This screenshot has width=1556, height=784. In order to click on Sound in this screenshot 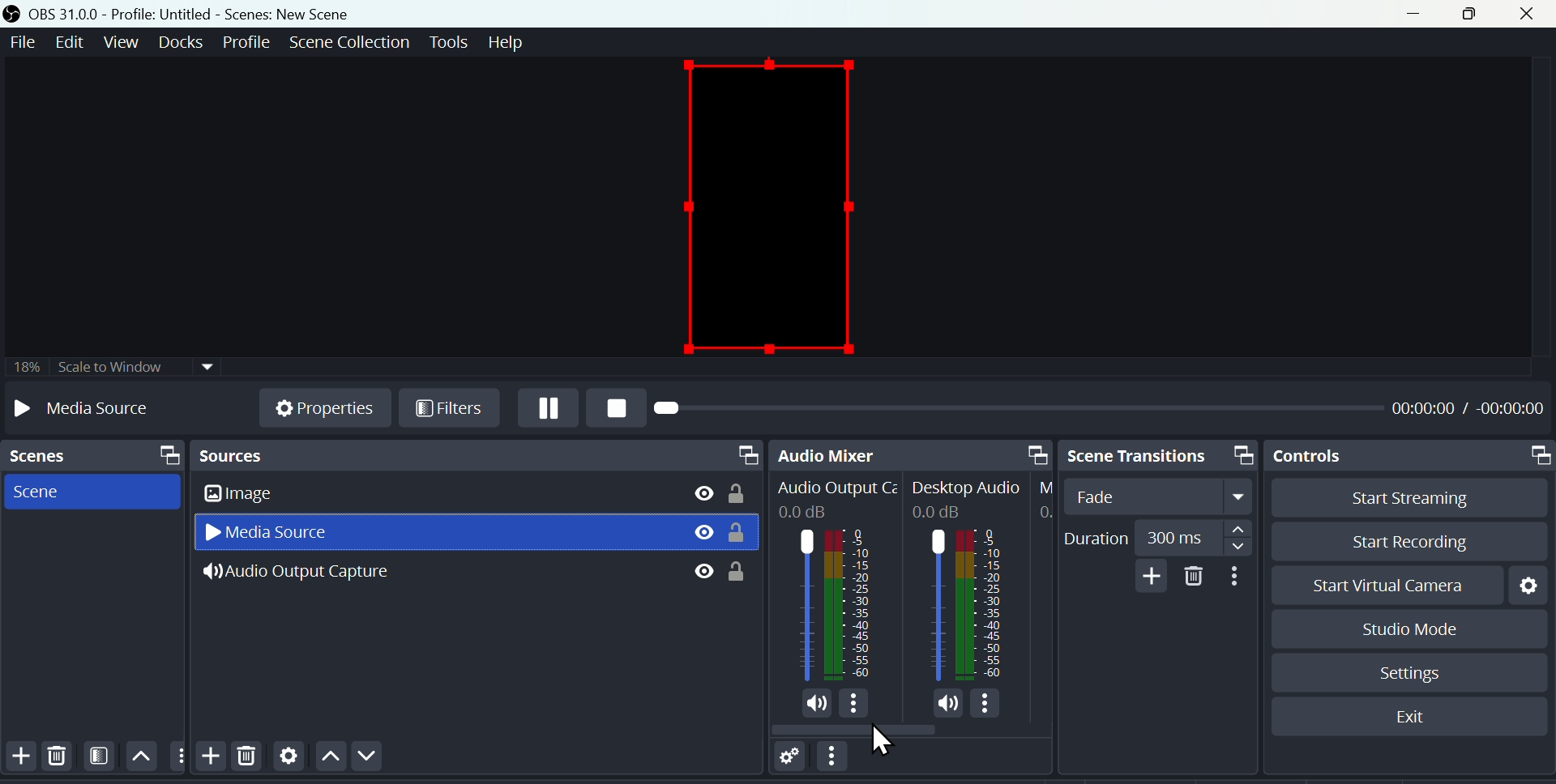, I will do `click(948, 704)`.